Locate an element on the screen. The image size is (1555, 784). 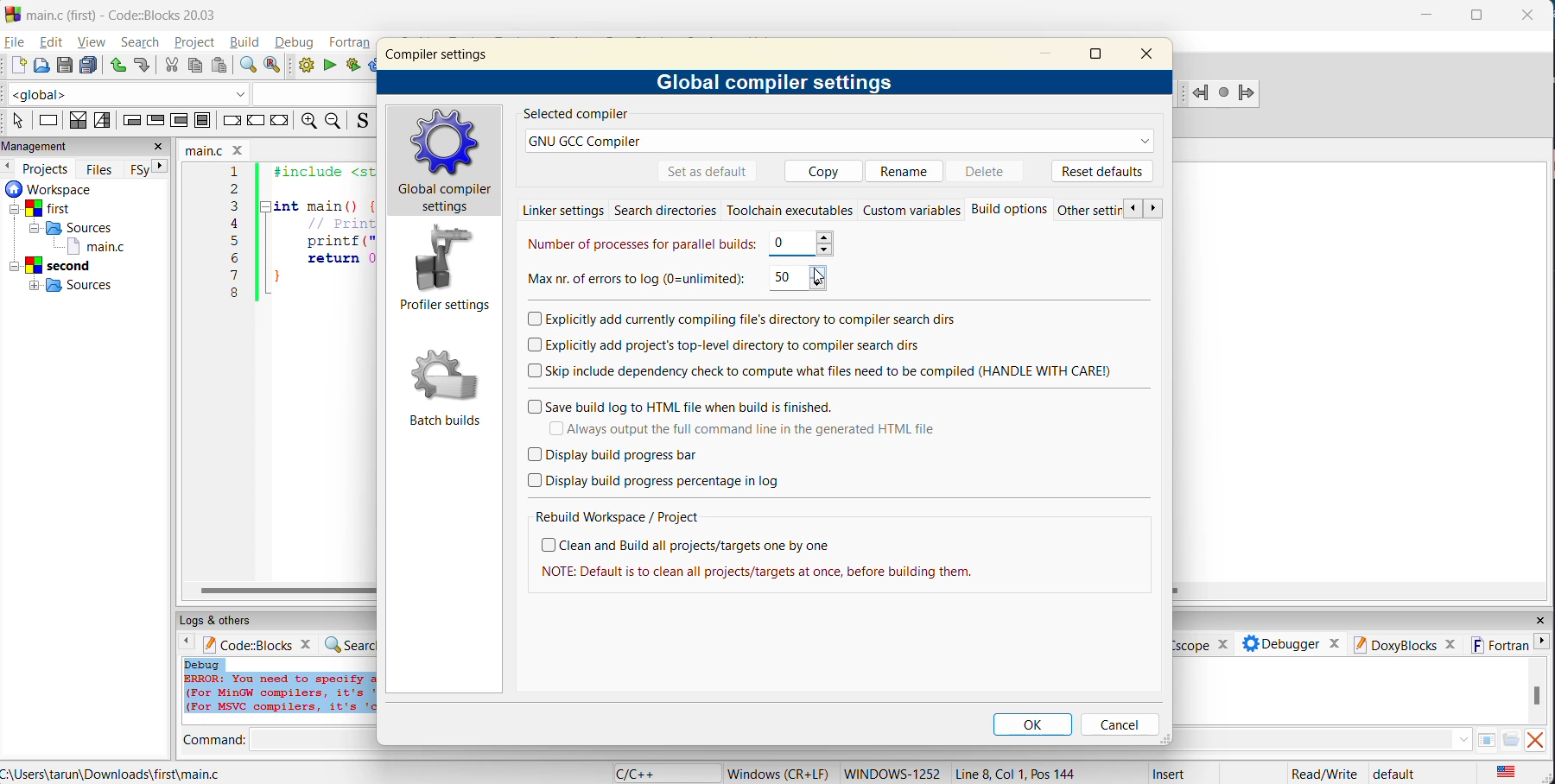
save build log to html file when  build is finished is located at coordinates (682, 406).